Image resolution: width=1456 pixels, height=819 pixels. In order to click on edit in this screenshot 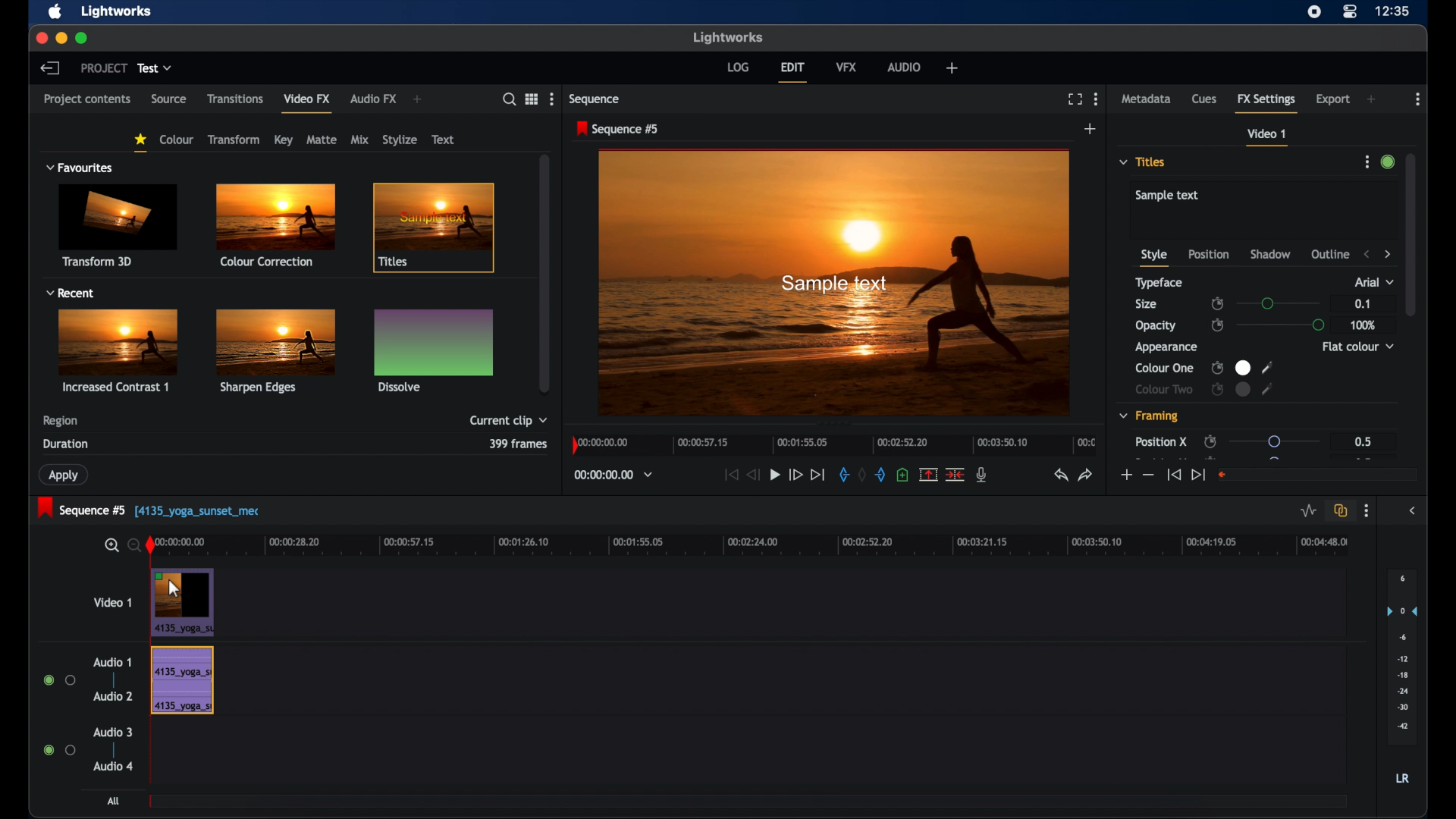, I will do `click(793, 72)`.